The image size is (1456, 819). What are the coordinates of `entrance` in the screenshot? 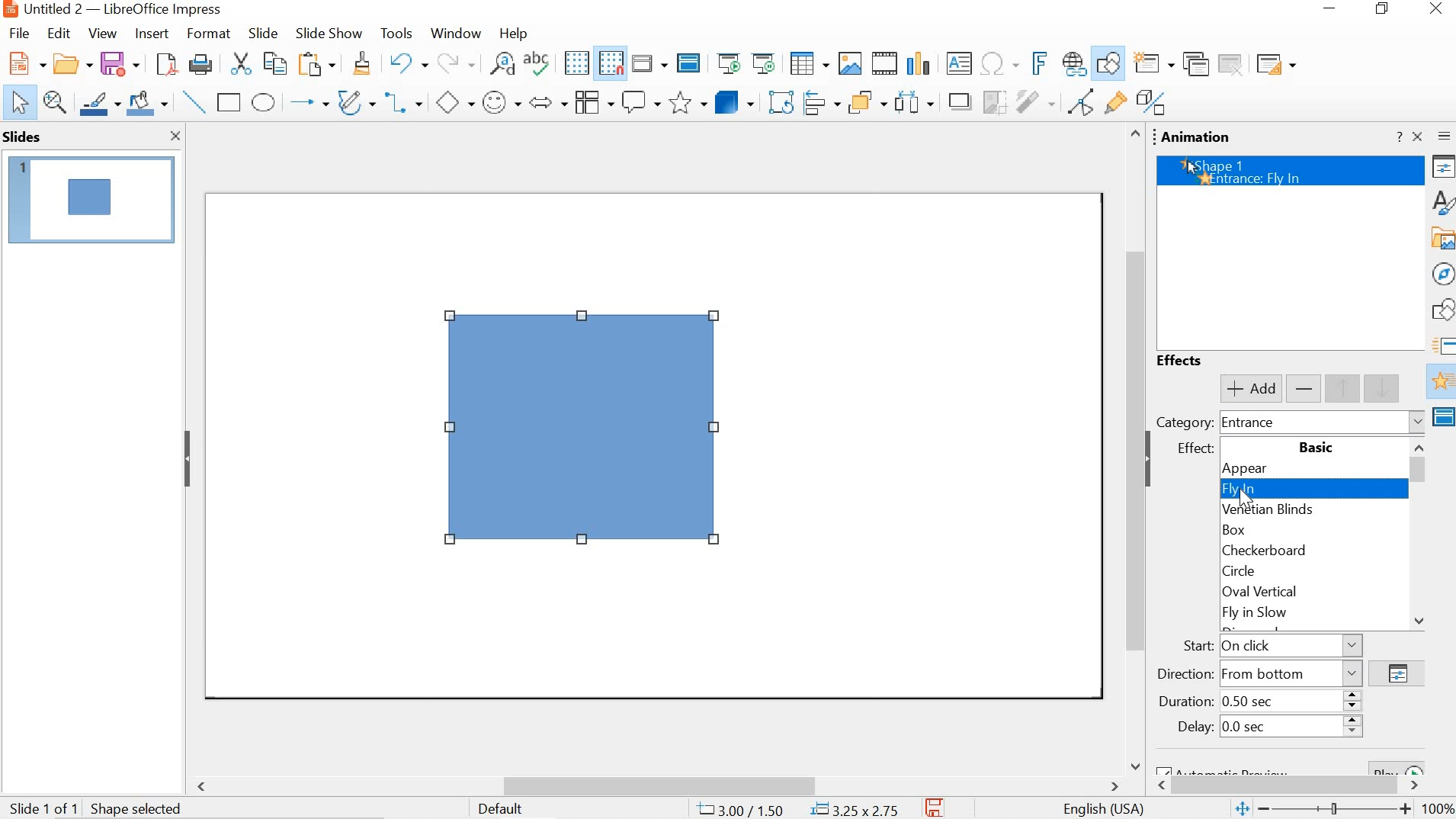 It's located at (1323, 422).